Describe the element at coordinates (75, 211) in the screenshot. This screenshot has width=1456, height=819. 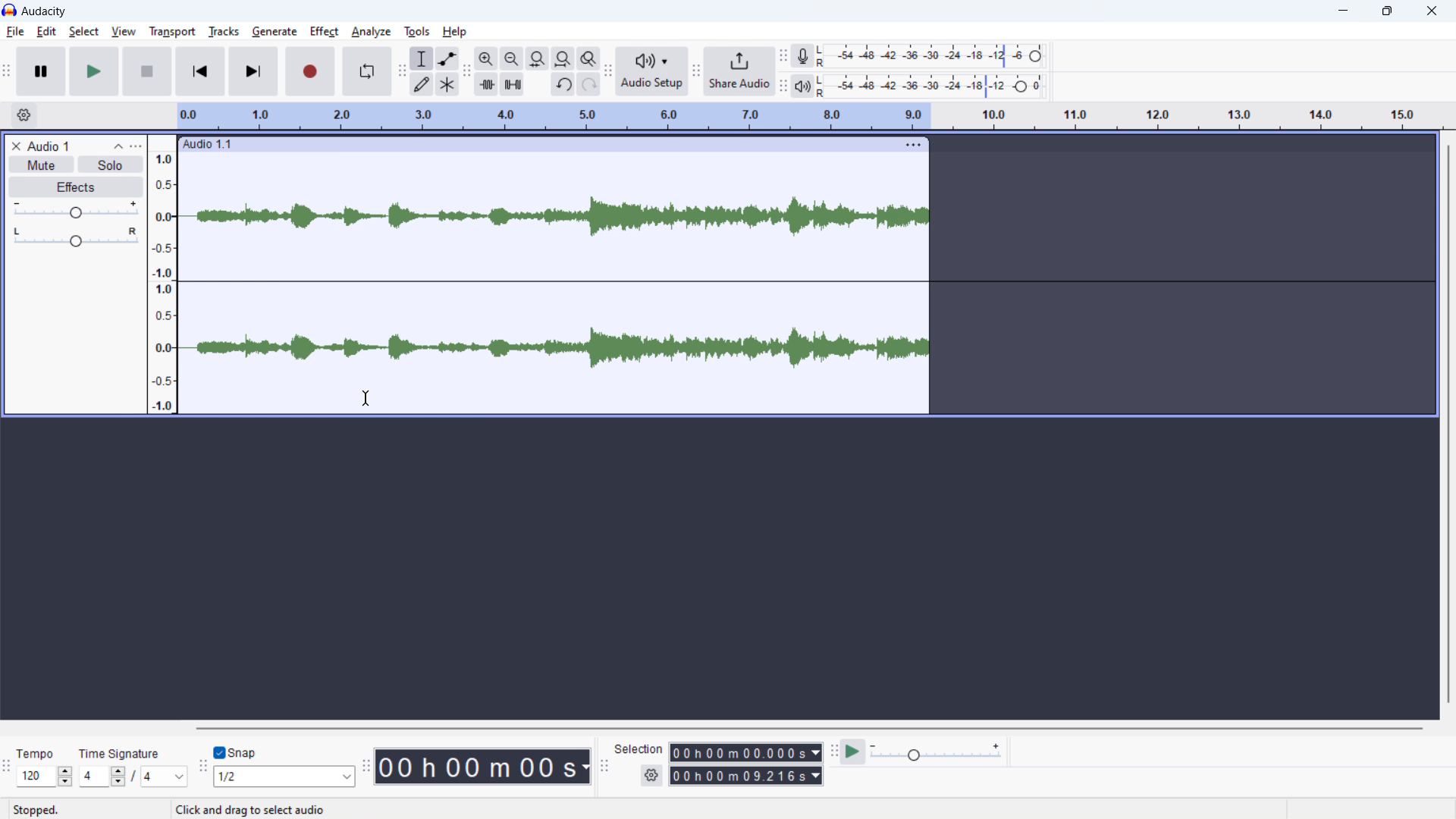
I see `gain` at that location.